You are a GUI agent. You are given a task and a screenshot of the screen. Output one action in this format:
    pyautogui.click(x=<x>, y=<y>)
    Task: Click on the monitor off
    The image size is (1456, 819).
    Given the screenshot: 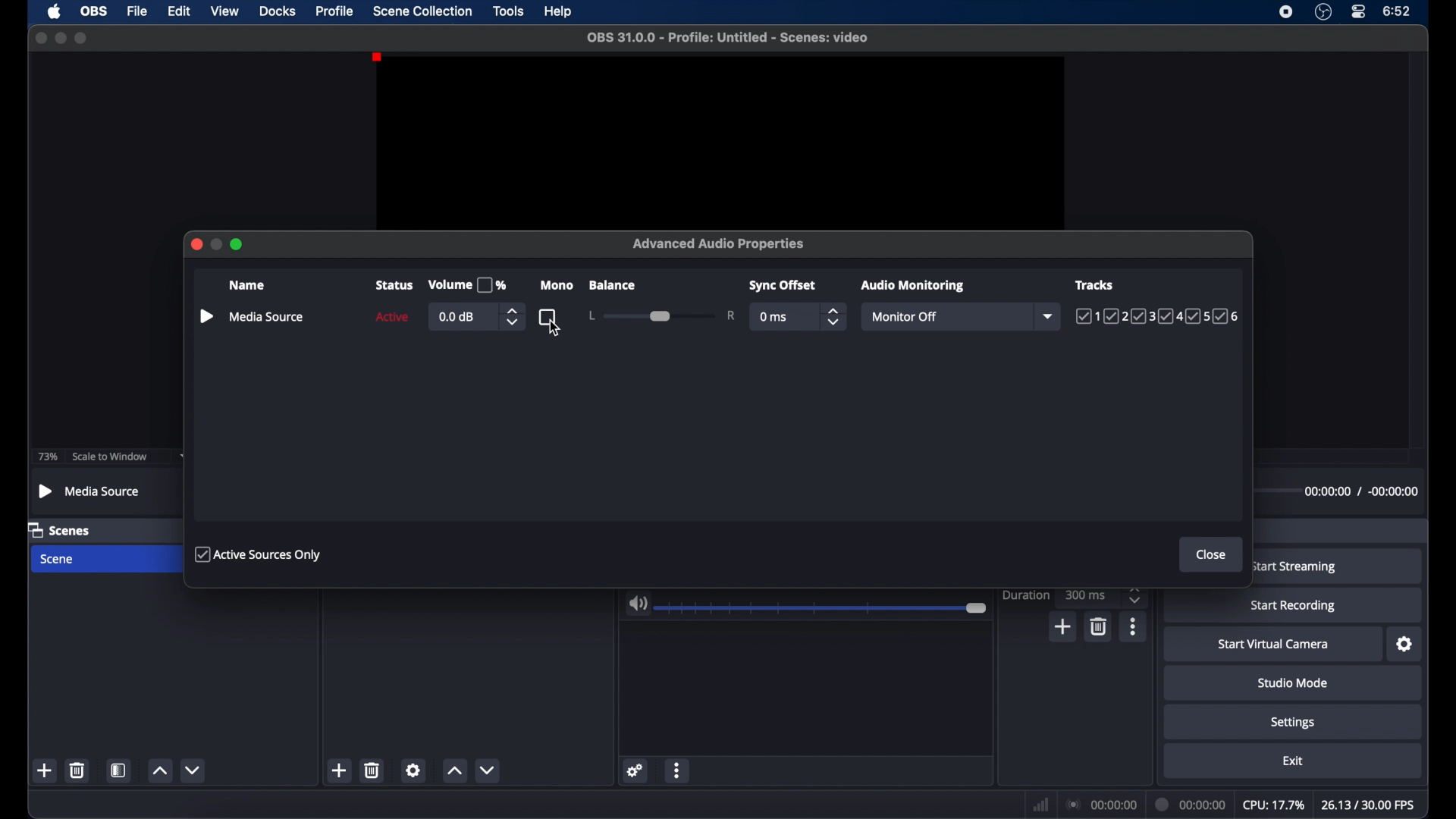 What is the action you would take?
    pyautogui.click(x=902, y=316)
    